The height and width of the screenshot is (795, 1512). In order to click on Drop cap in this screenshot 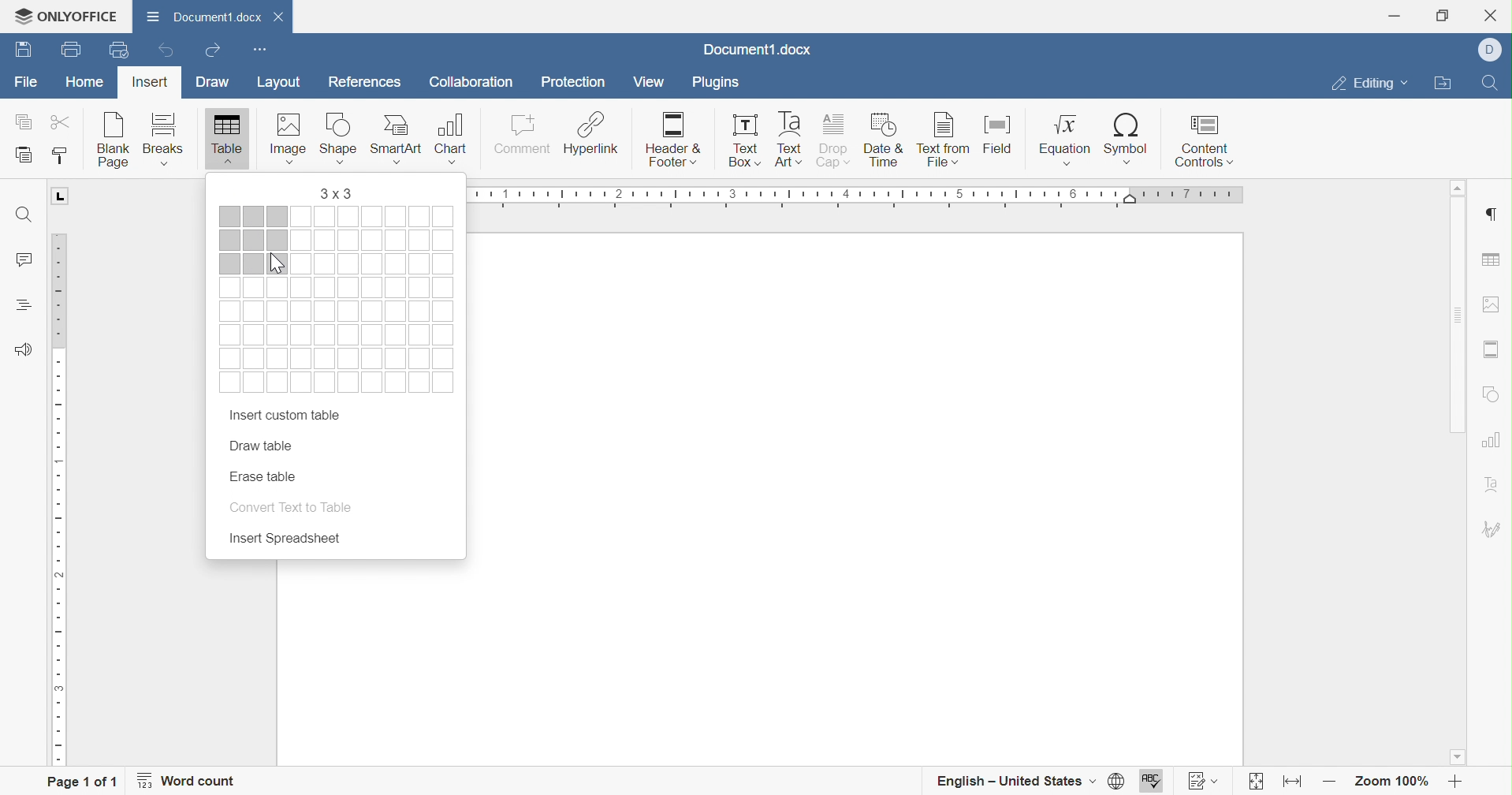, I will do `click(837, 143)`.